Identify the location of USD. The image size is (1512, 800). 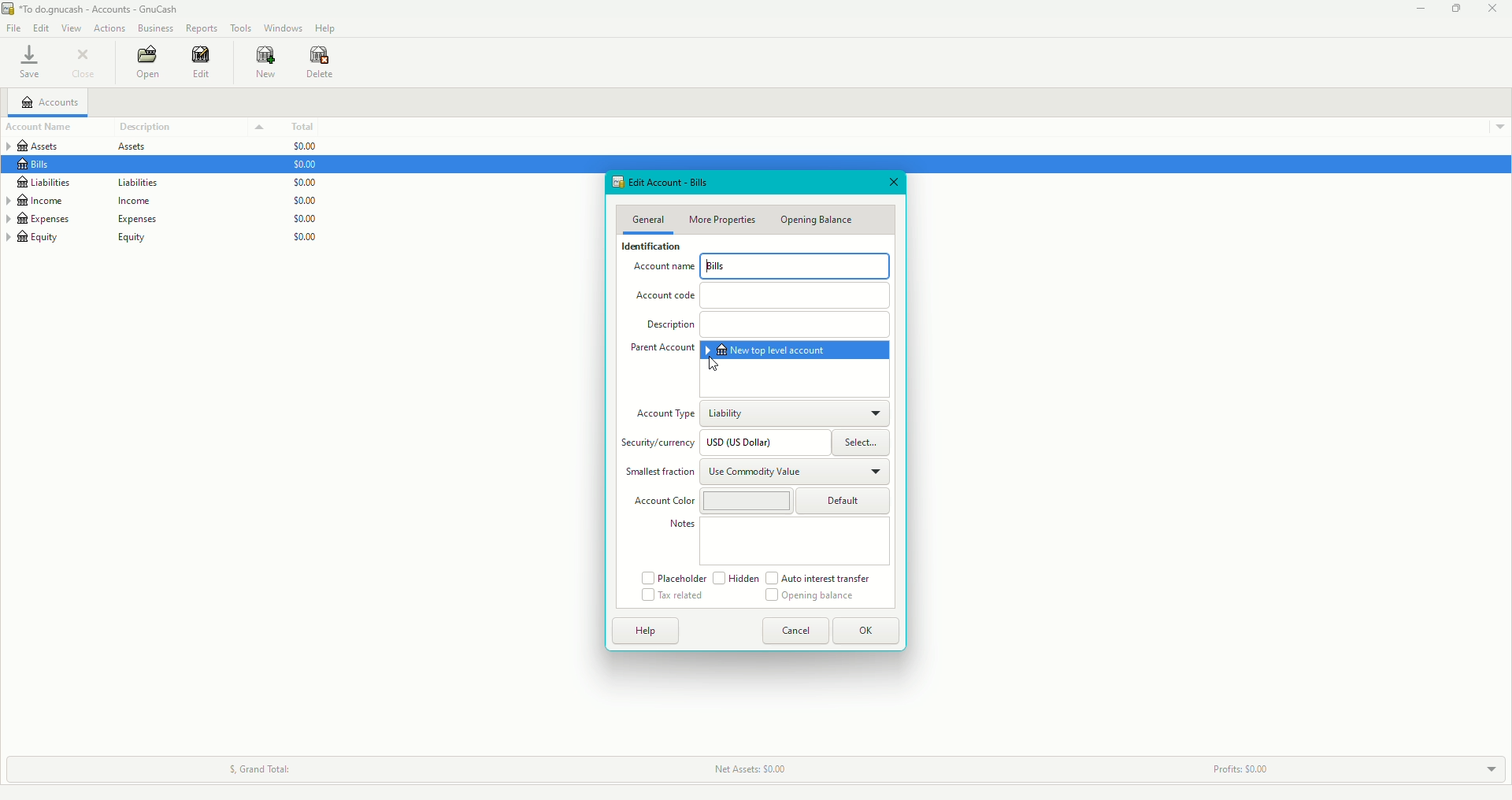
(764, 443).